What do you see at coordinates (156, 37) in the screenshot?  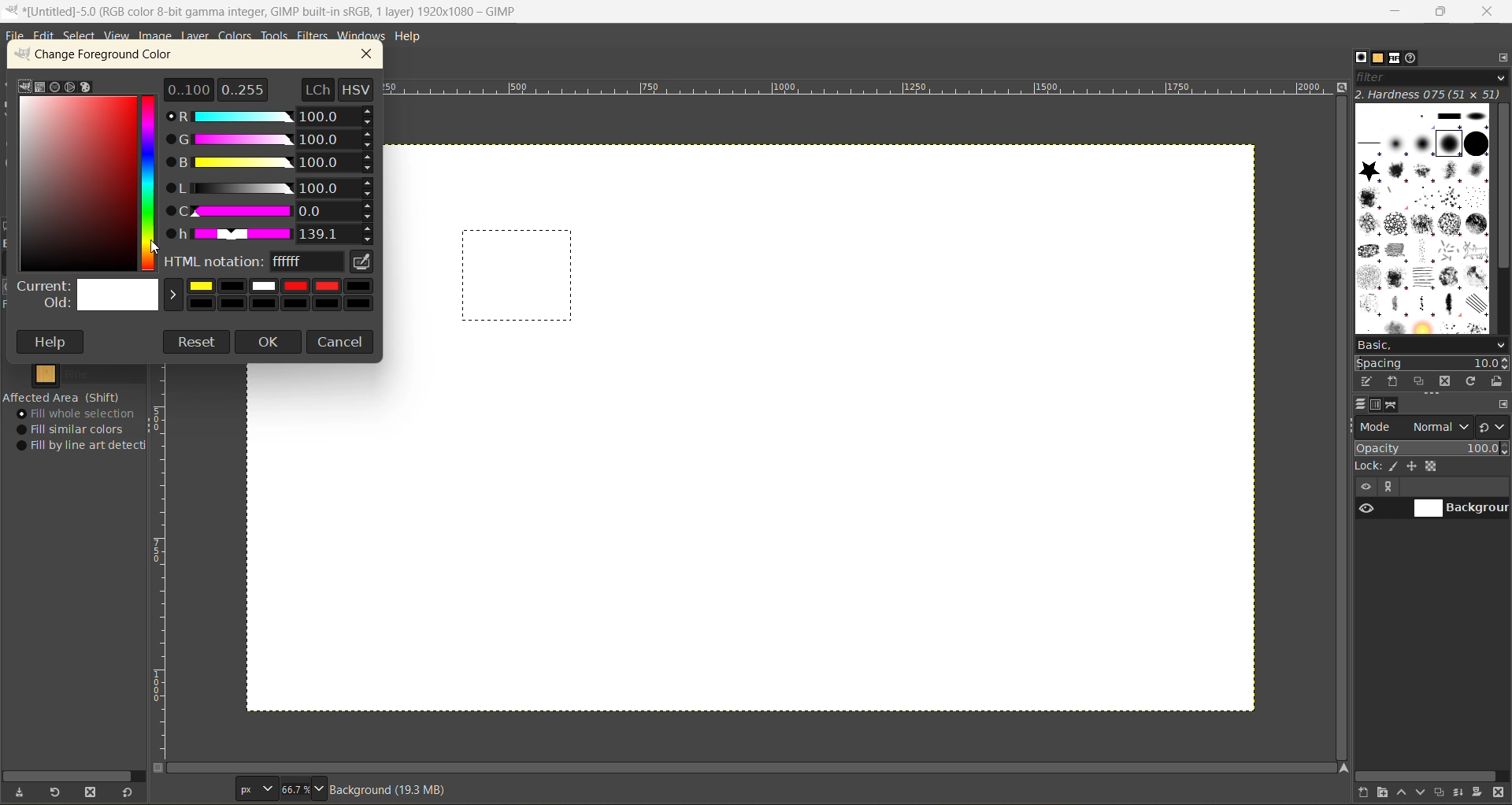 I see `image` at bounding box center [156, 37].